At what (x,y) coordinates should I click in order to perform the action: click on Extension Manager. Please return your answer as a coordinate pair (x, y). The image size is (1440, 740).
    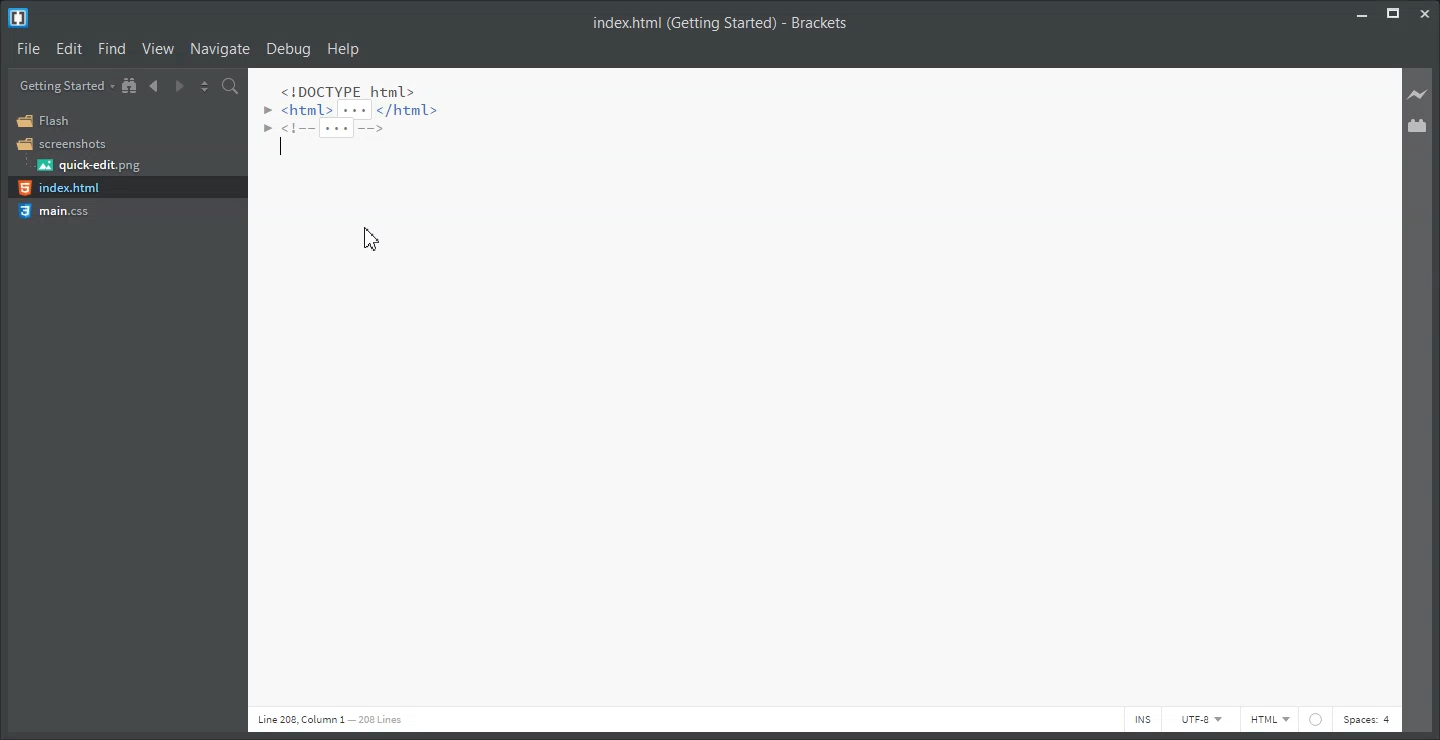
    Looking at the image, I should click on (1417, 126).